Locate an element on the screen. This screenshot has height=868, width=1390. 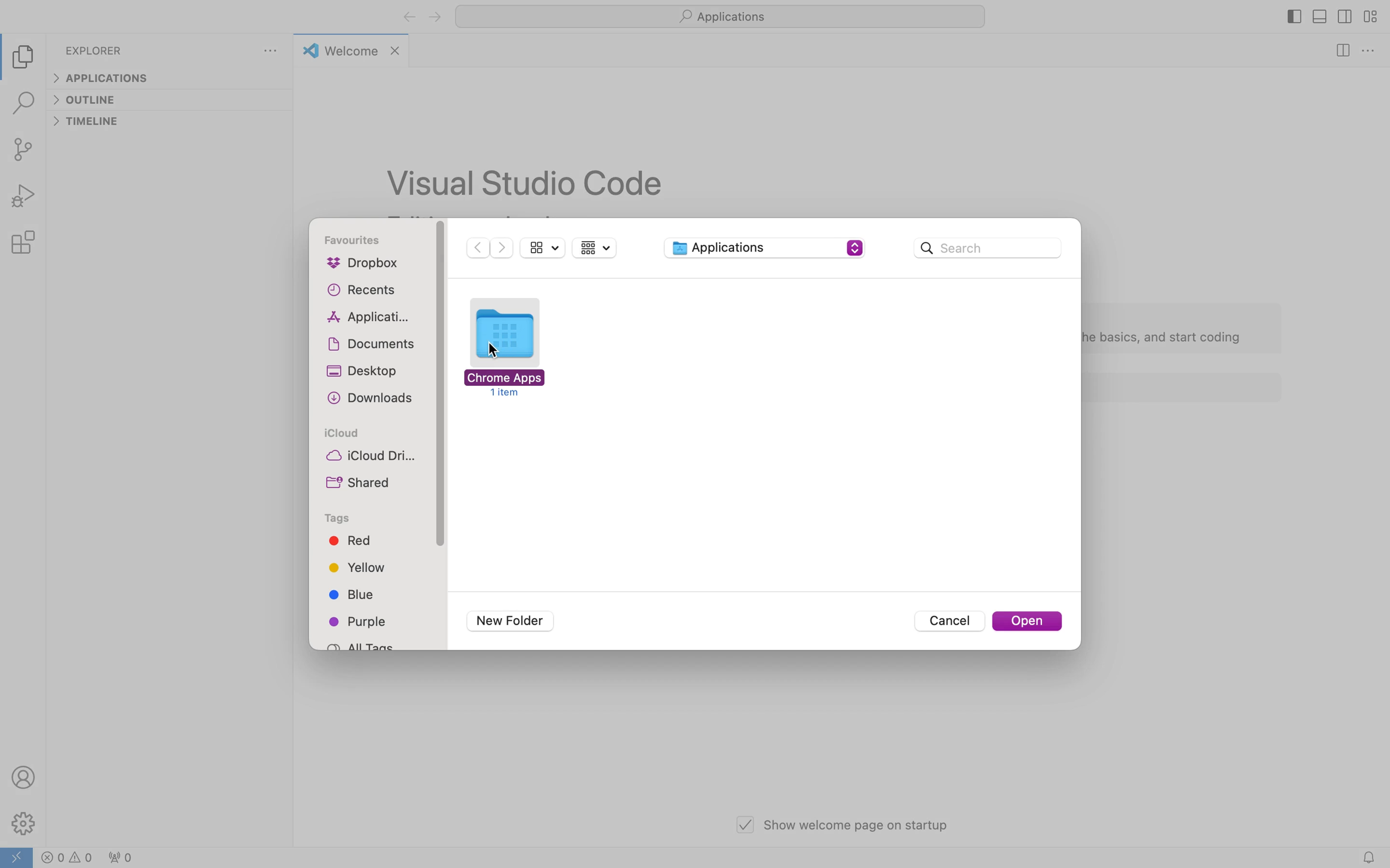
extension is located at coordinates (27, 241).